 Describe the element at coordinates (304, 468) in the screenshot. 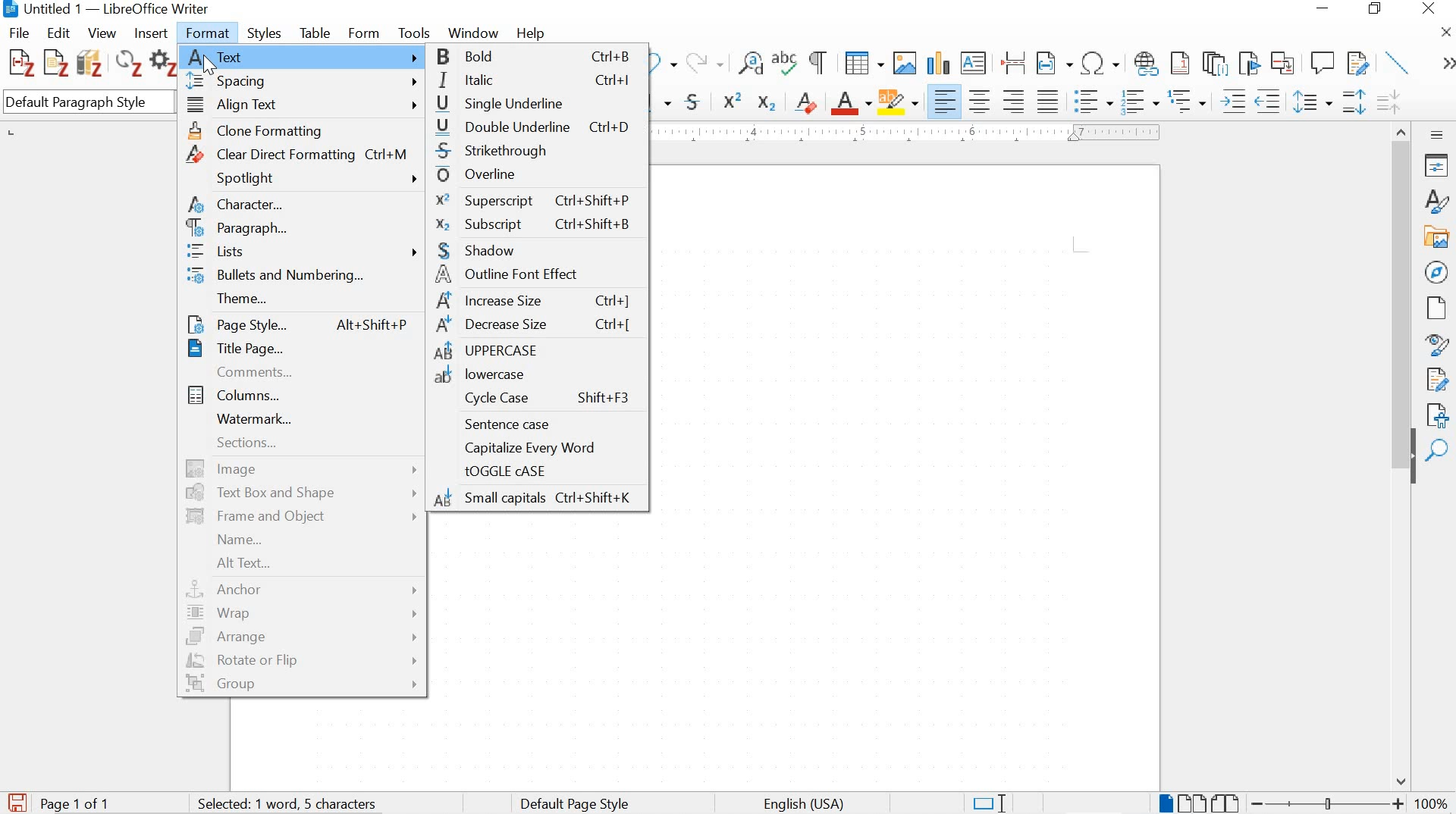

I see `image` at that location.